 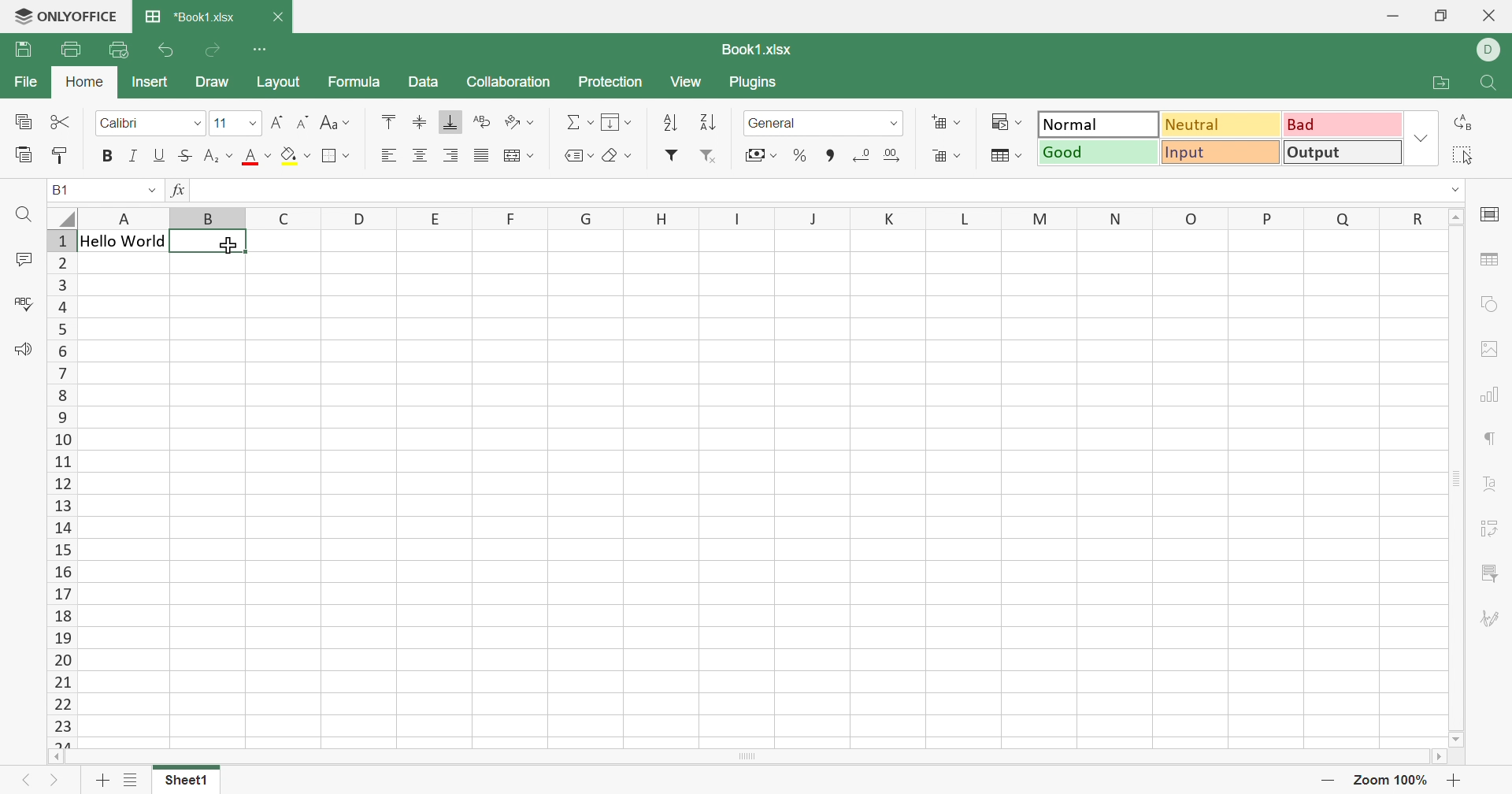 What do you see at coordinates (99, 781) in the screenshot?
I see `Add sheet` at bounding box center [99, 781].